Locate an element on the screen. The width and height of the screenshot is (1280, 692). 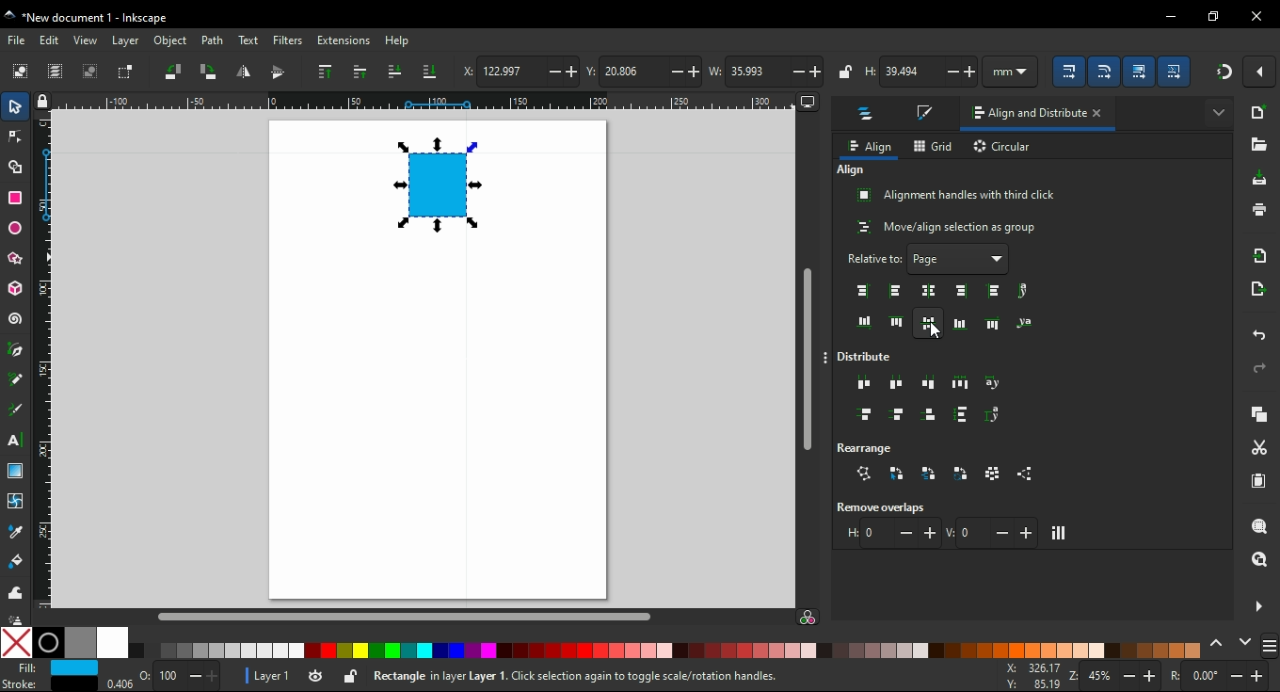
import is located at coordinates (1263, 255).